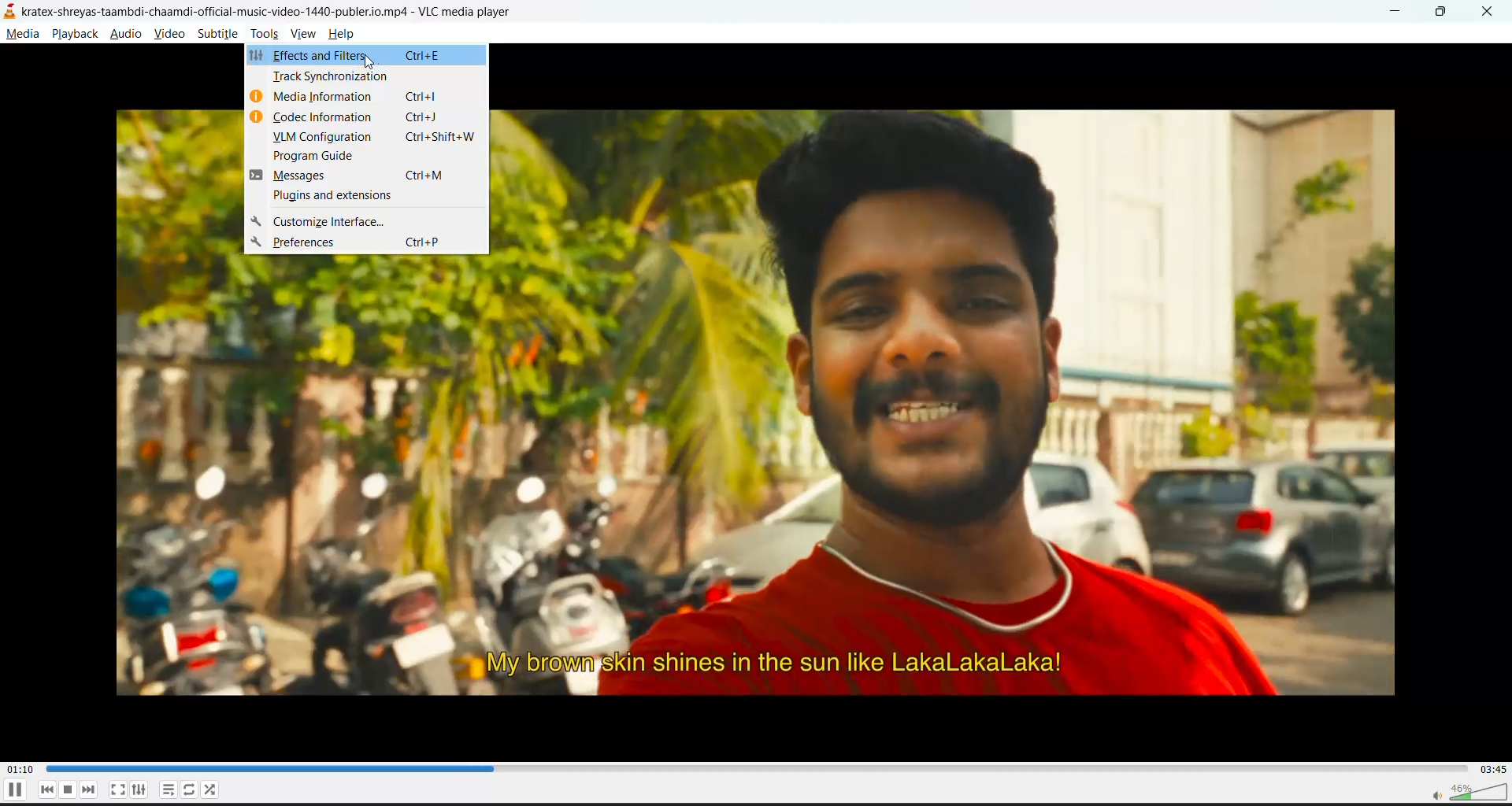 This screenshot has width=1512, height=806. What do you see at coordinates (24, 37) in the screenshot?
I see `media` at bounding box center [24, 37].